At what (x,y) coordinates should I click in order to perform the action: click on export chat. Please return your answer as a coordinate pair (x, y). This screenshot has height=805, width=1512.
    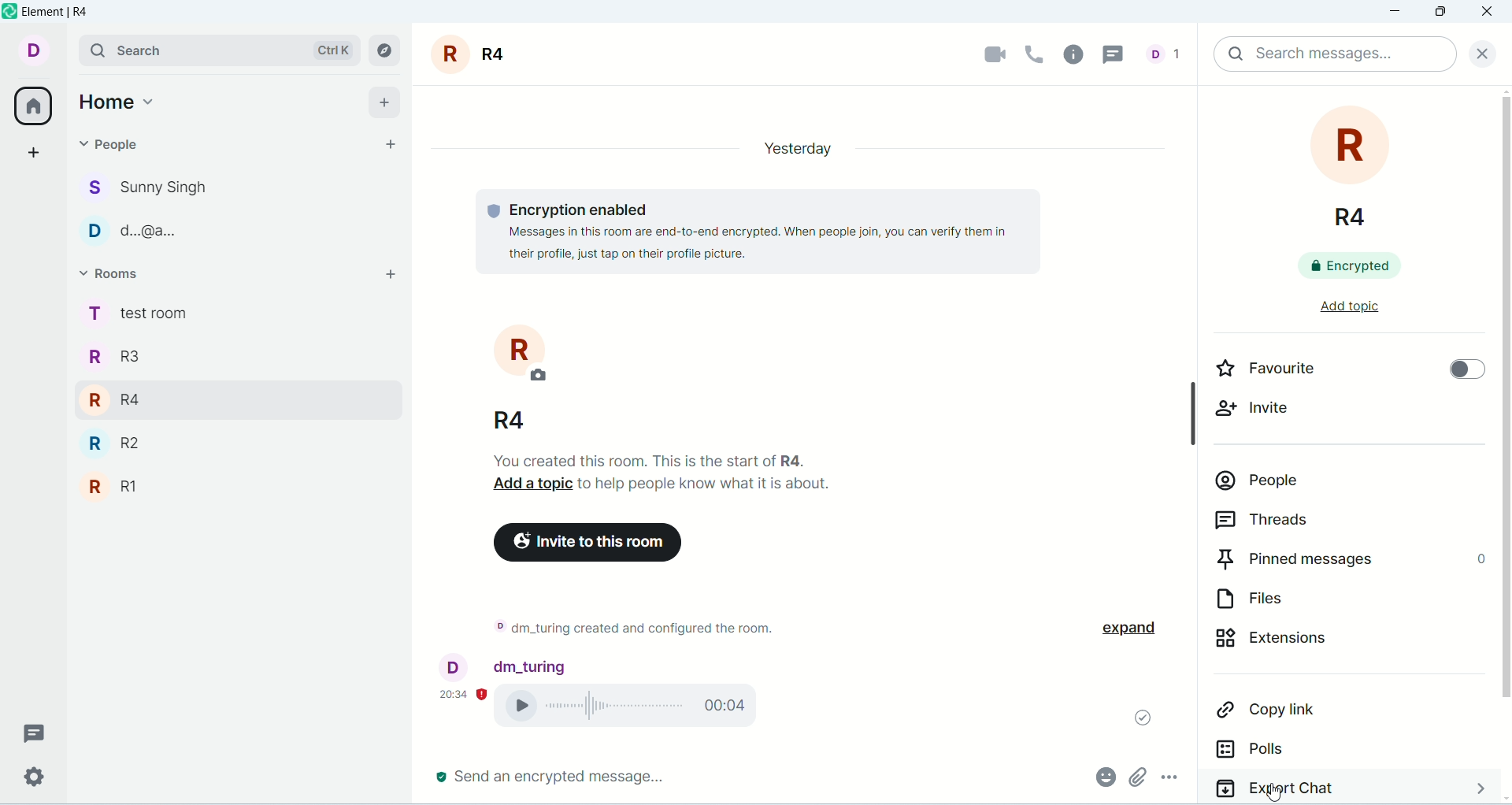
    Looking at the image, I should click on (1347, 788).